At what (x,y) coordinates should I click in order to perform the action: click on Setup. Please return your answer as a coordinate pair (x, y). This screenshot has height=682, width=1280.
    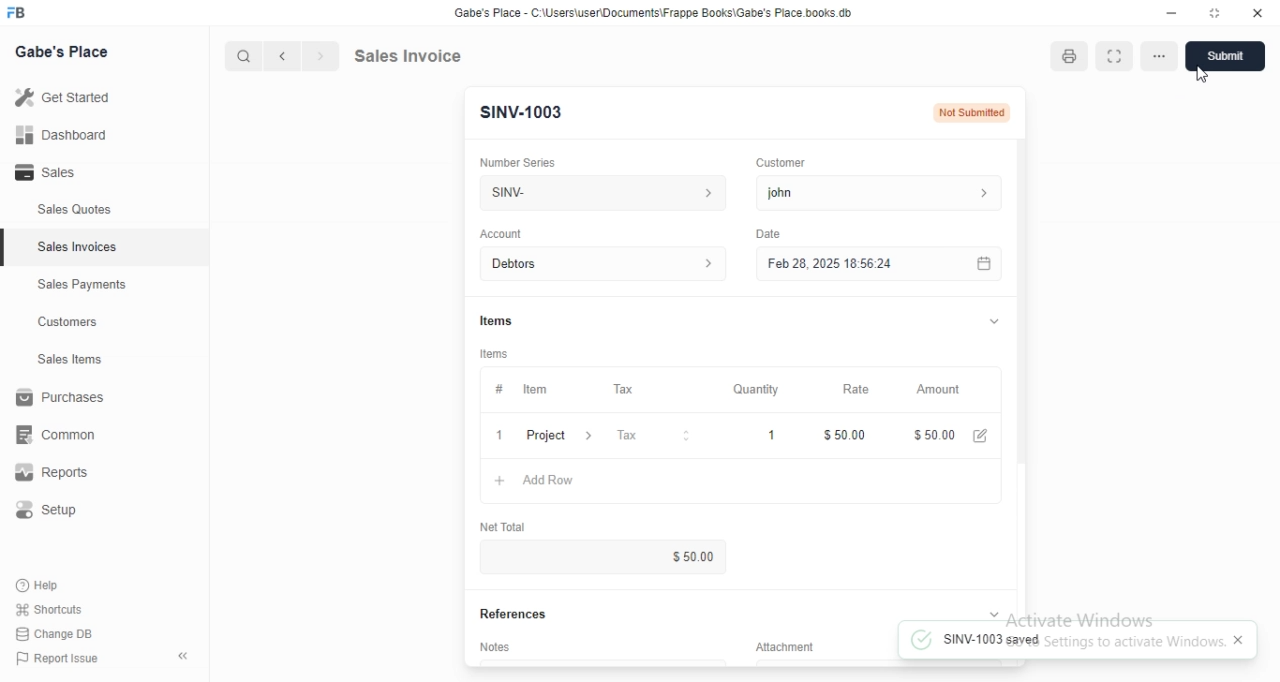
    Looking at the image, I should click on (57, 513).